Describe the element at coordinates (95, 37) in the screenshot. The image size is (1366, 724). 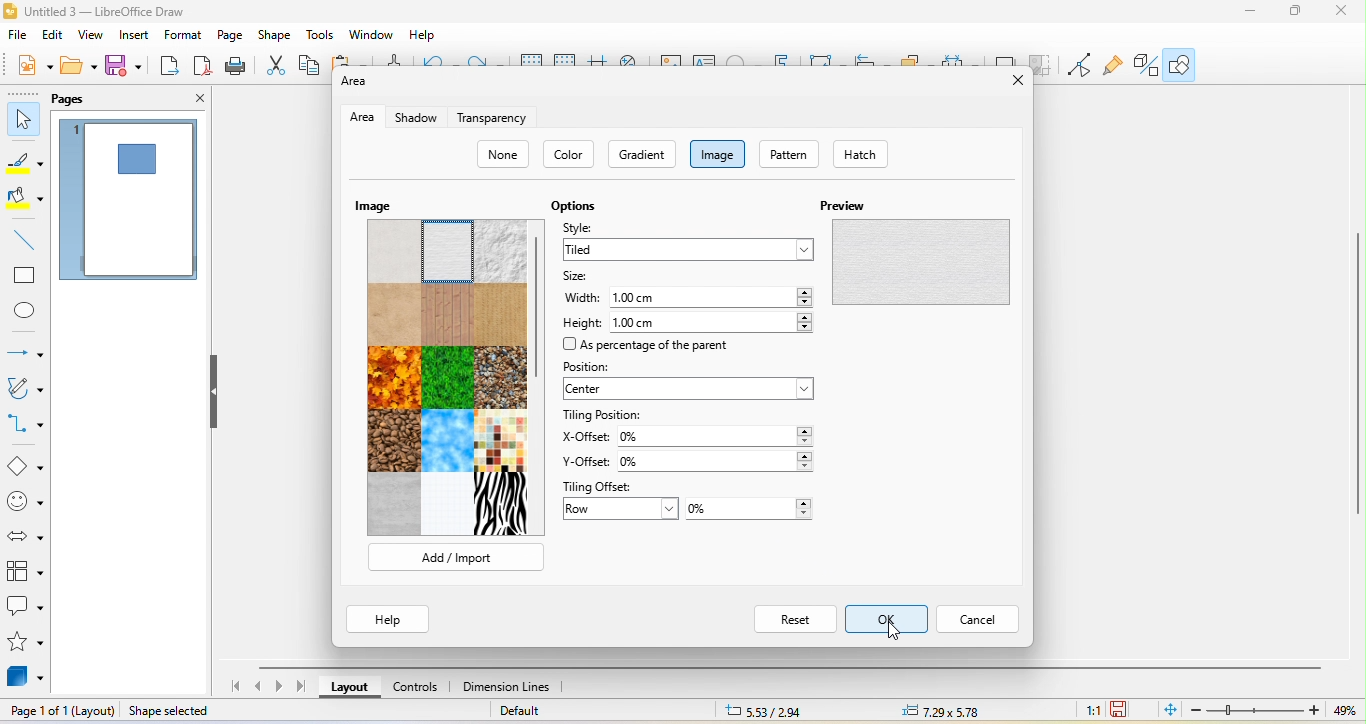
I see `view` at that location.